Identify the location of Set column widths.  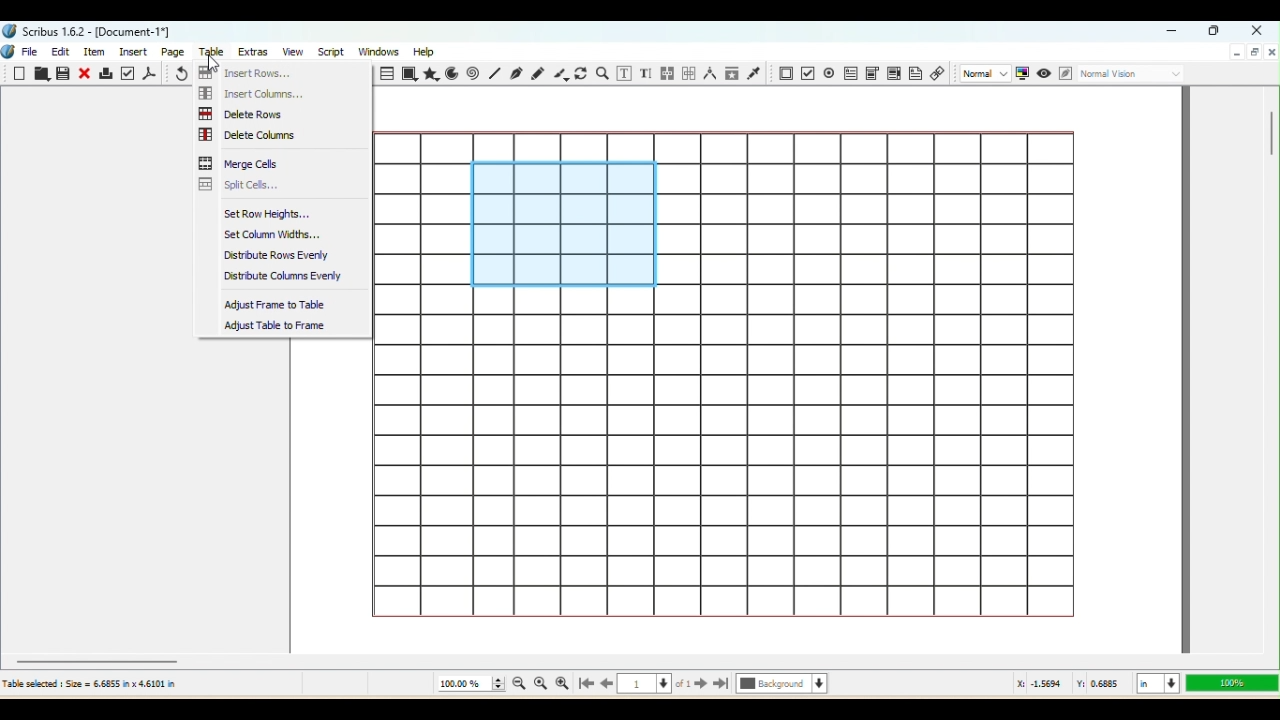
(278, 234).